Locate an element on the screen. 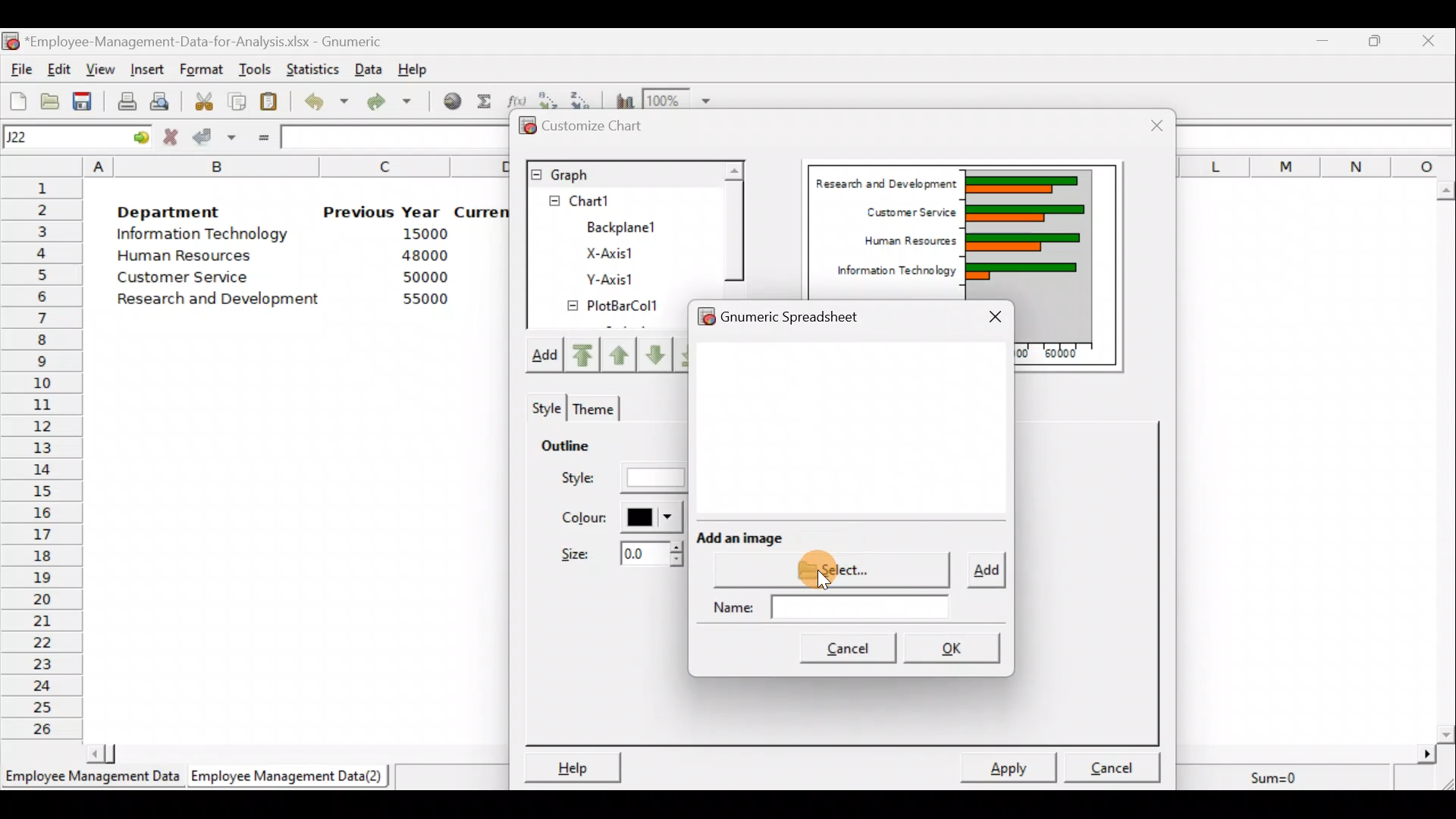 This screenshot has height=819, width=1456. Employee Management Data (2) is located at coordinates (290, 777).